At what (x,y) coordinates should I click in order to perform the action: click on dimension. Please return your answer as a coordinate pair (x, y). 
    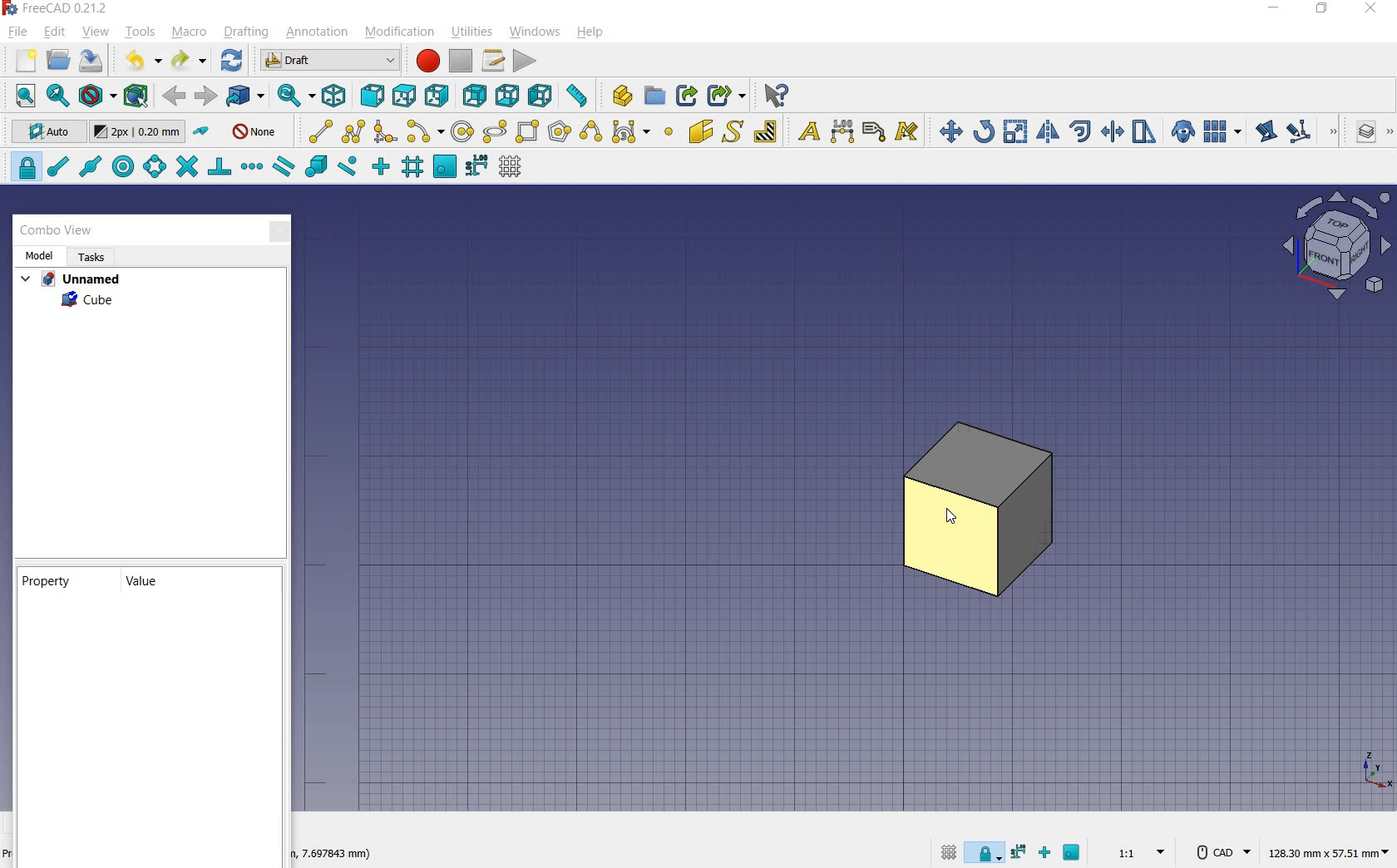
    Looking at the image, I should click on (1328, 851).